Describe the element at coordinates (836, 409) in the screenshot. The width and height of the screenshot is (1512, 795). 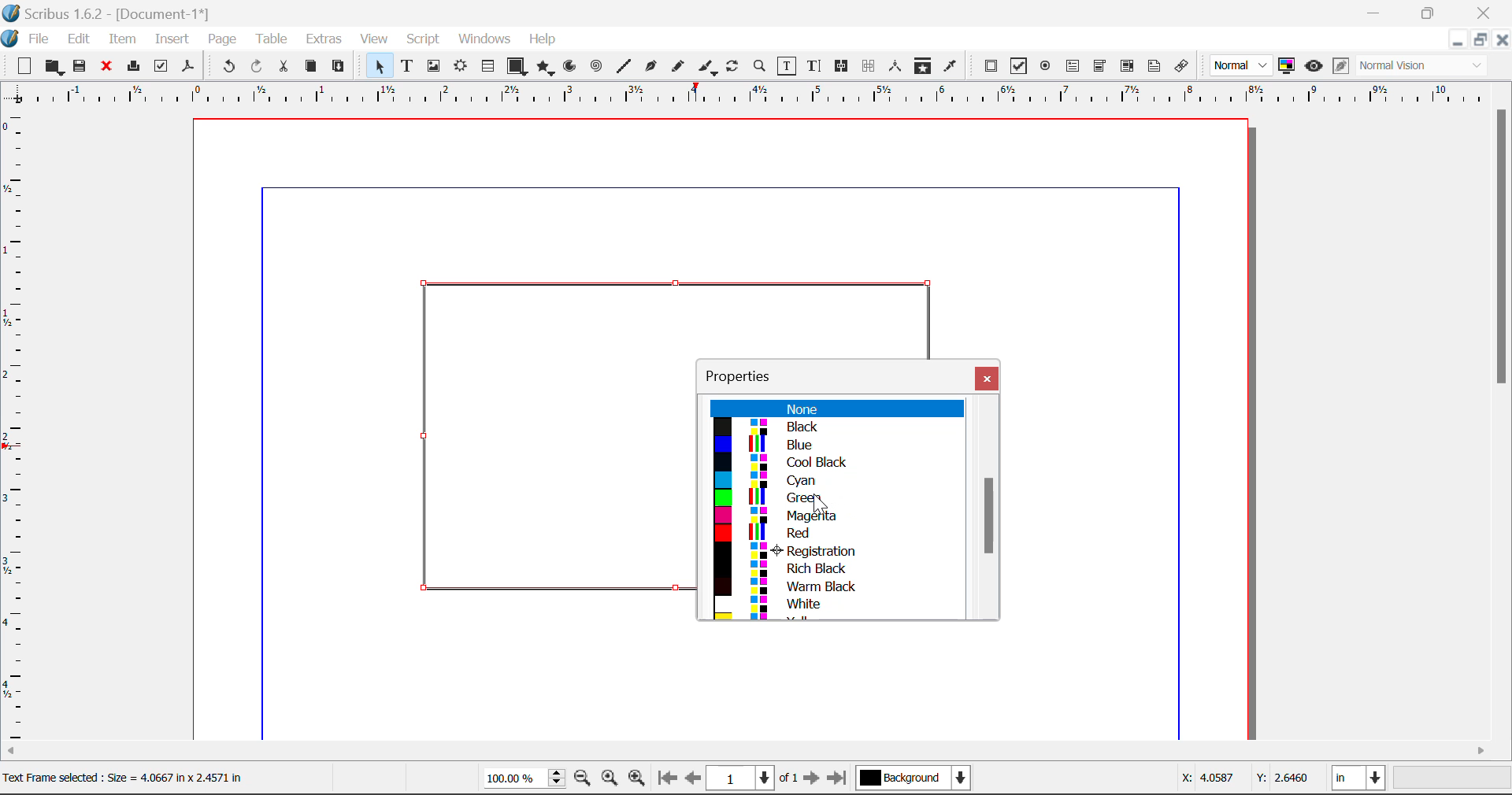
I see `None` at that location.